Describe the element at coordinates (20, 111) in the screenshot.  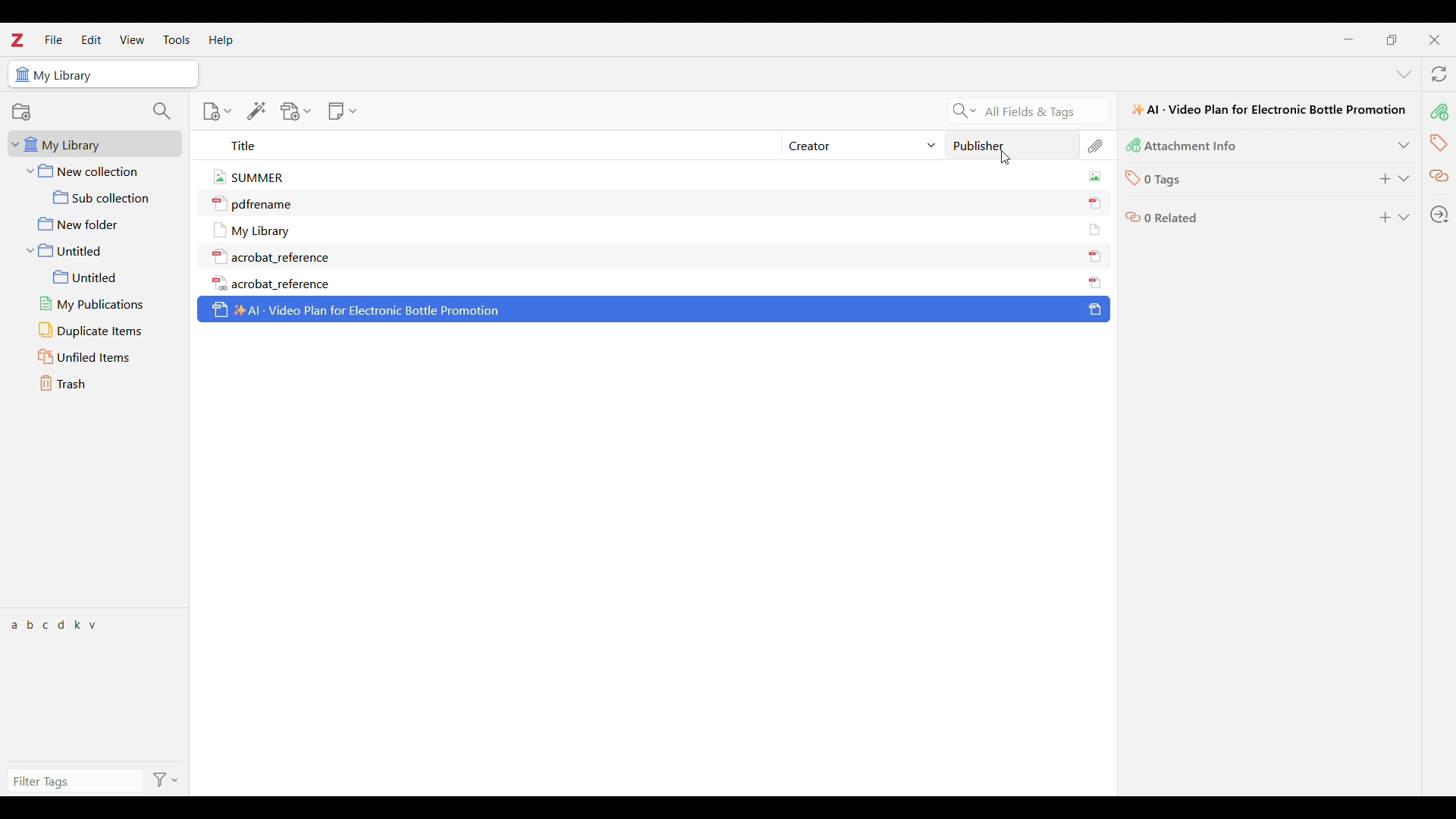
I see `Add new collection` at that location.